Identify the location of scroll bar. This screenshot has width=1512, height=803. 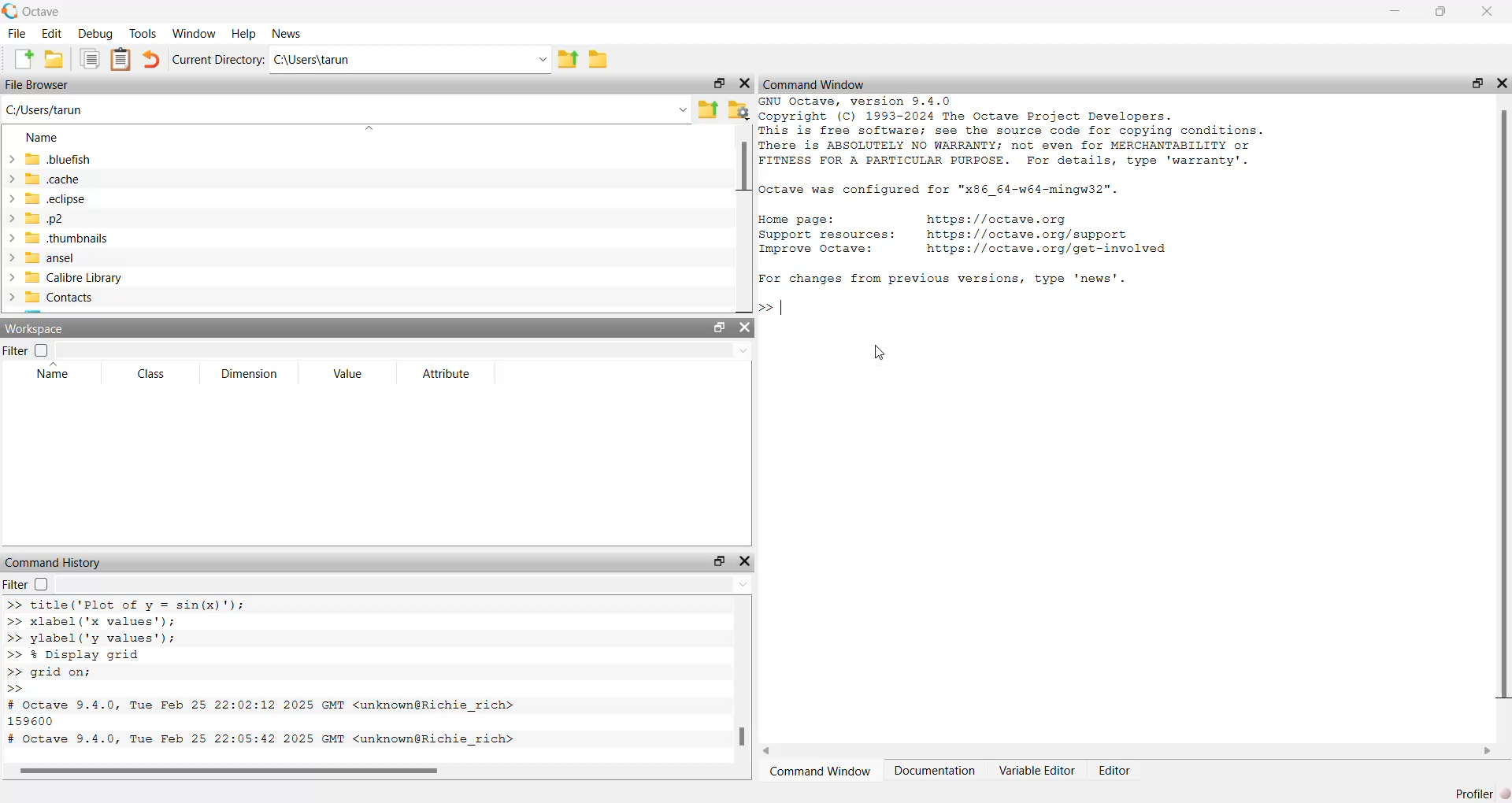
(1503, 405).